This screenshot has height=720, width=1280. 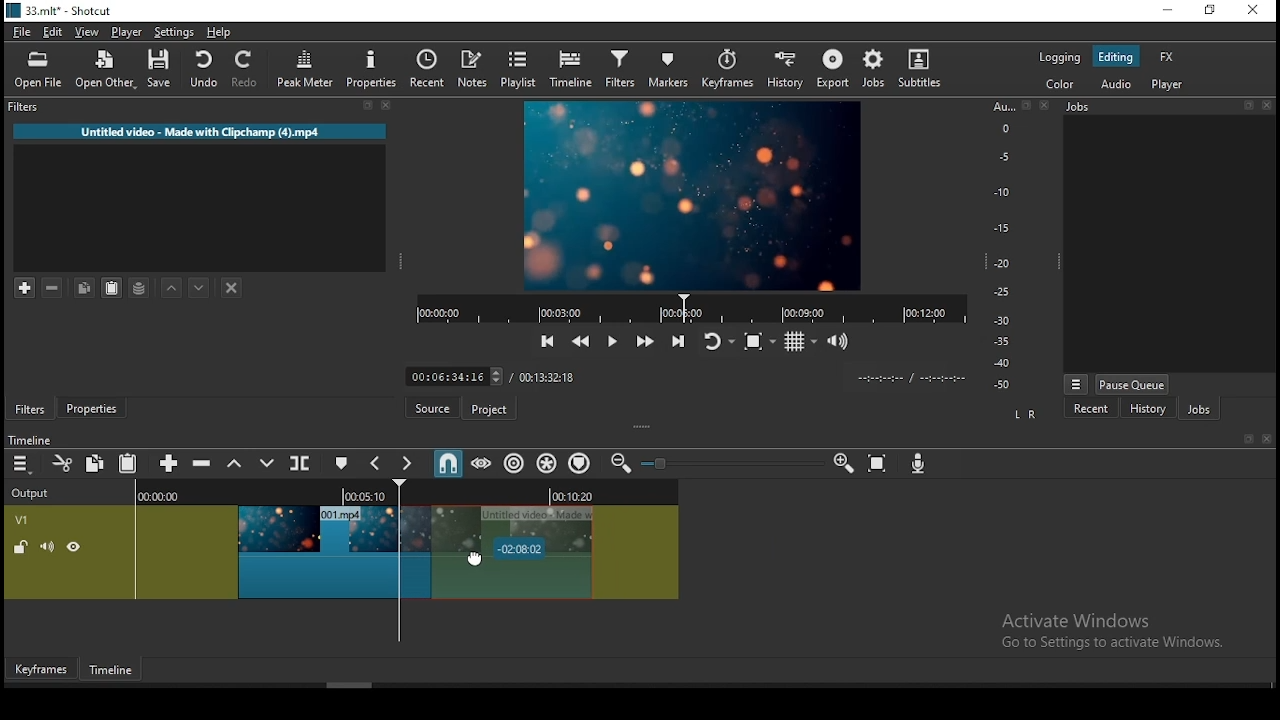 I want to click on toggle grid display on player, so click(x=803, y=339).